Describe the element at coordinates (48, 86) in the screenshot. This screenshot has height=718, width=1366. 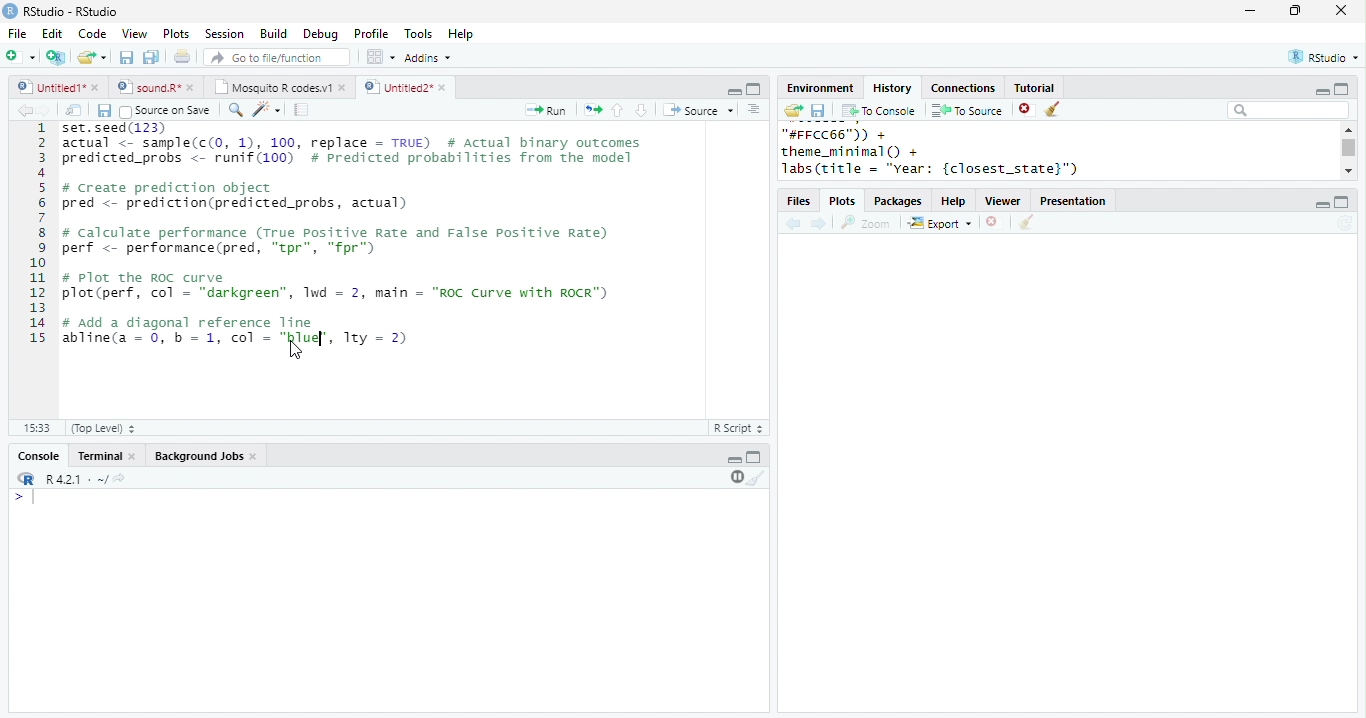
I see `Untitled 1` at that location.